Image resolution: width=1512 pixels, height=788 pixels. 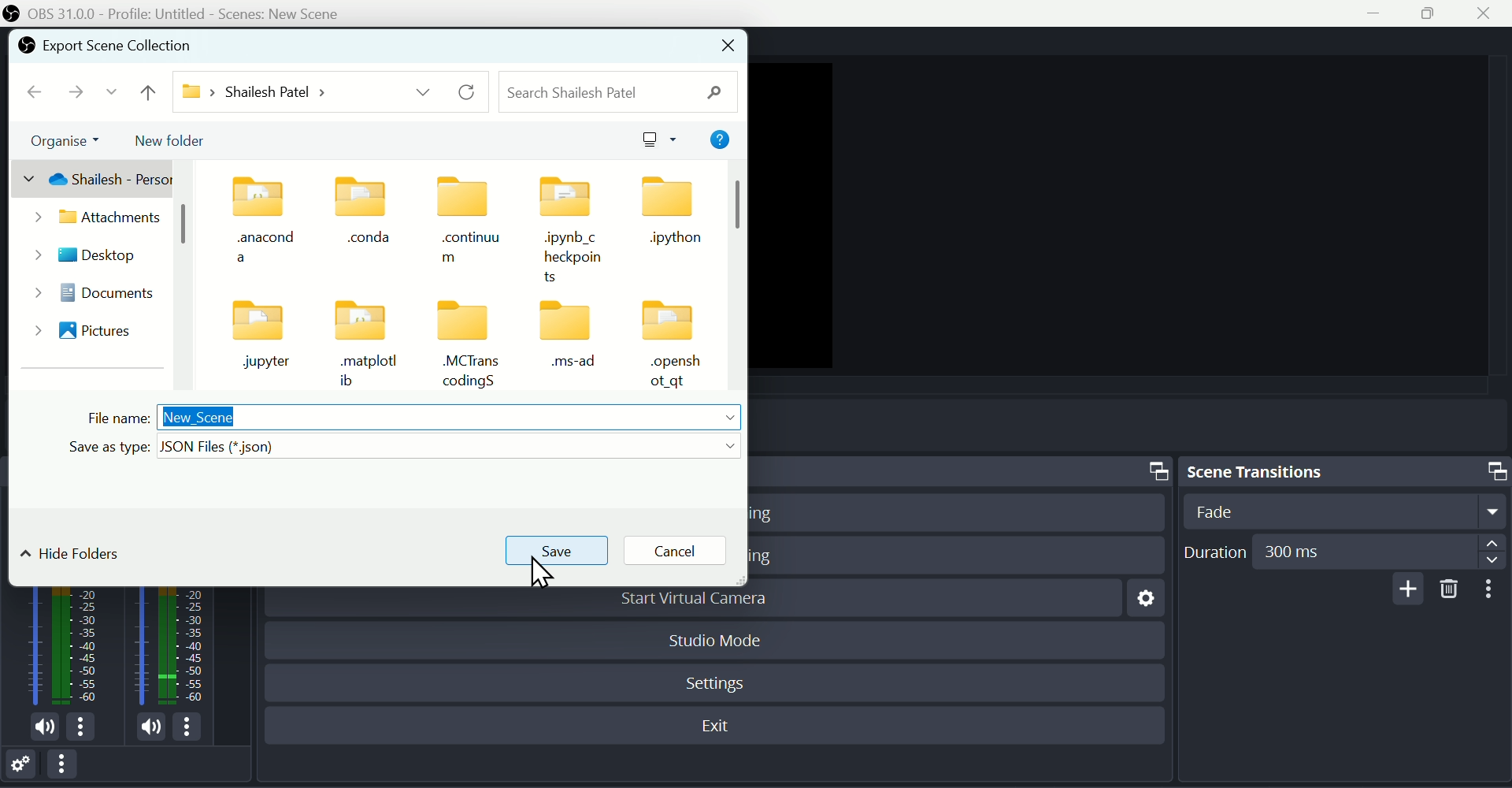 What do you see at coordinates (108, 46) in the screenshot?
I see `Export scene collection` at bounding box center [108, 46].